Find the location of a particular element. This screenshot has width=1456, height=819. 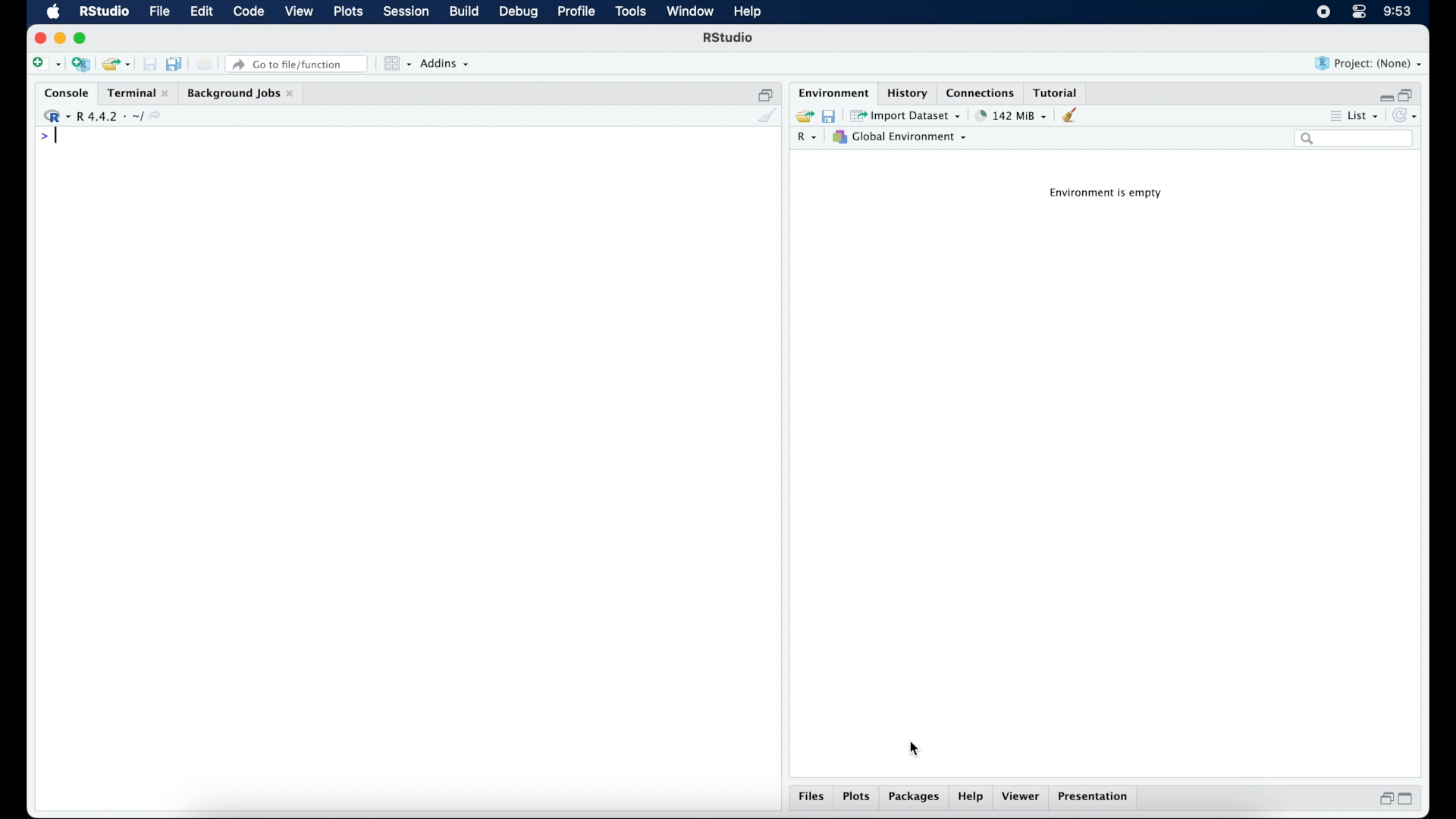

close is located at coordinates (37, 37).